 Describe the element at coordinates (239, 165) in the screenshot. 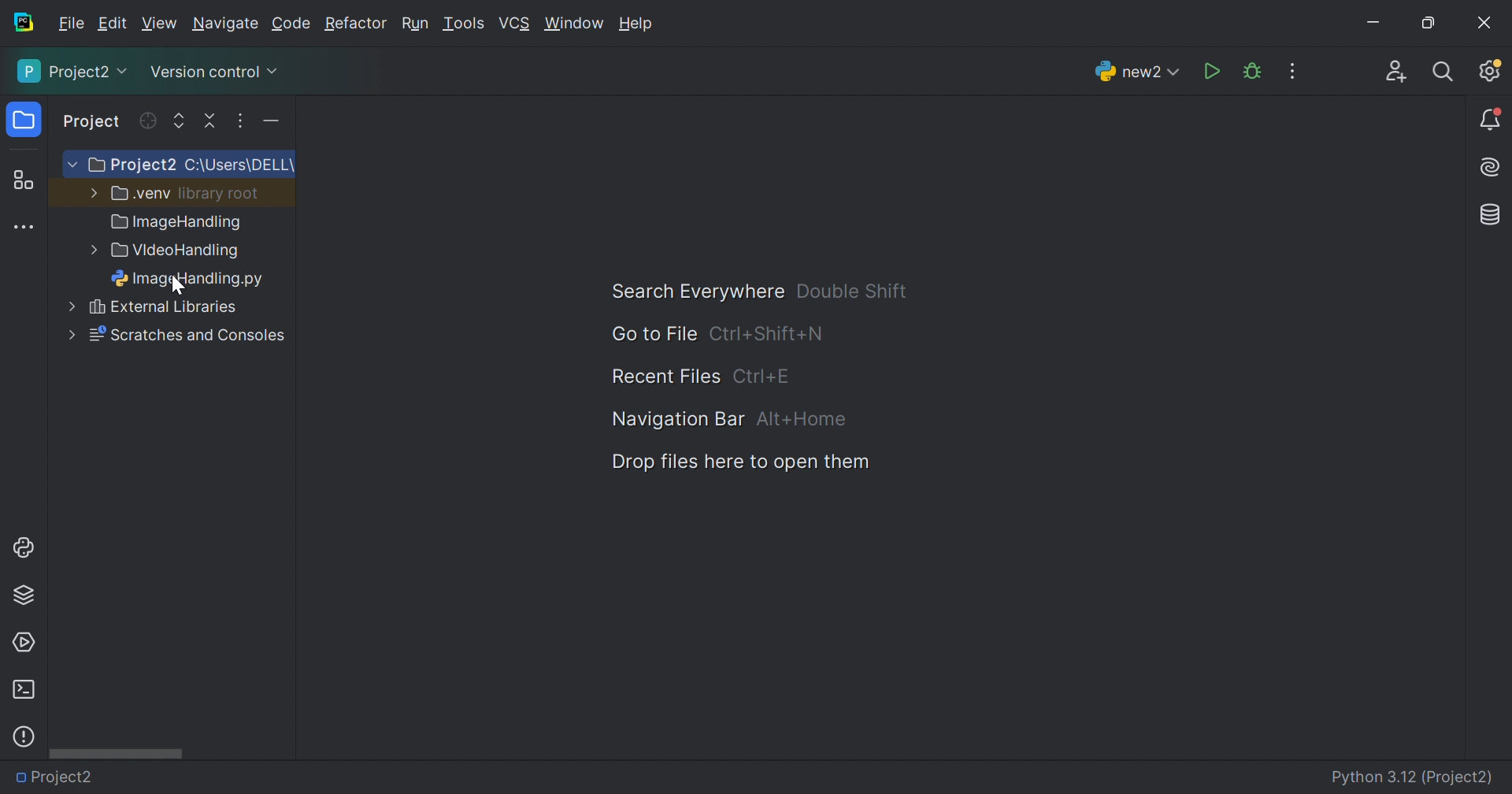

I see `C:\Users\DELL\` at that location.